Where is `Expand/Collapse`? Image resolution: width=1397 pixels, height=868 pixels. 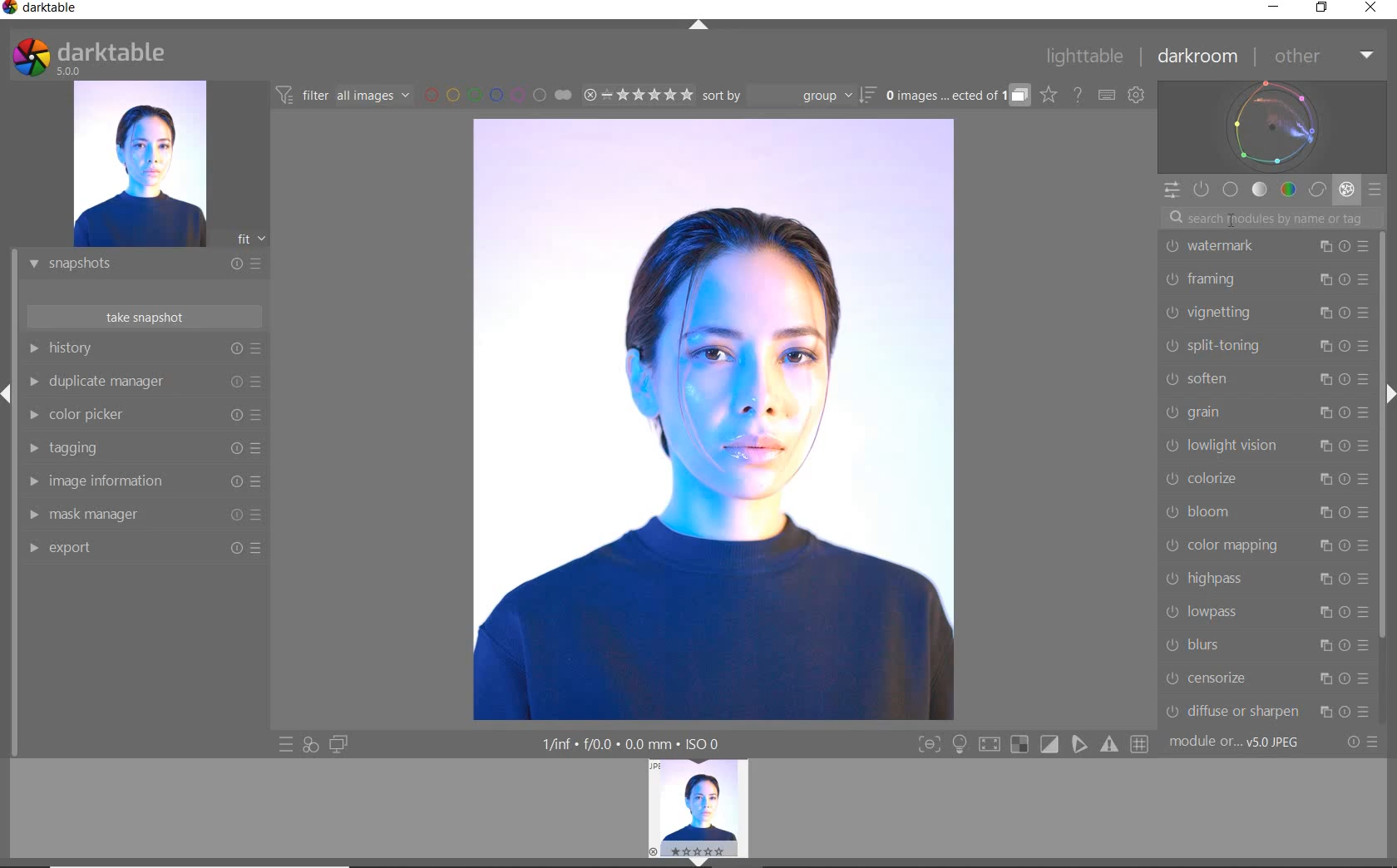 Expand/Collapse is located at coordinates (1388, 392).